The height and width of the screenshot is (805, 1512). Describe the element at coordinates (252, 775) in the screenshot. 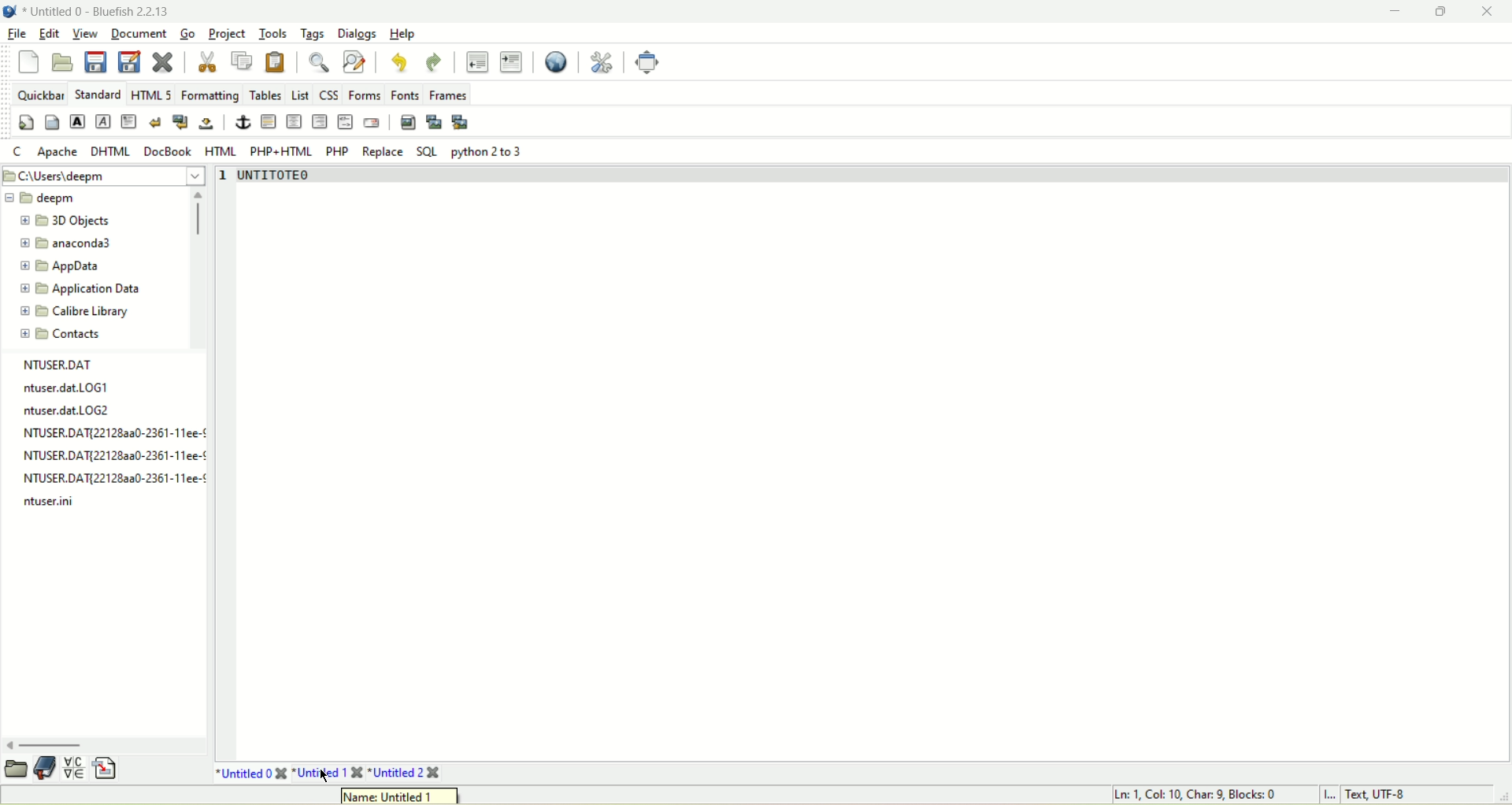

I see `*Untitled 0 ` at that location.